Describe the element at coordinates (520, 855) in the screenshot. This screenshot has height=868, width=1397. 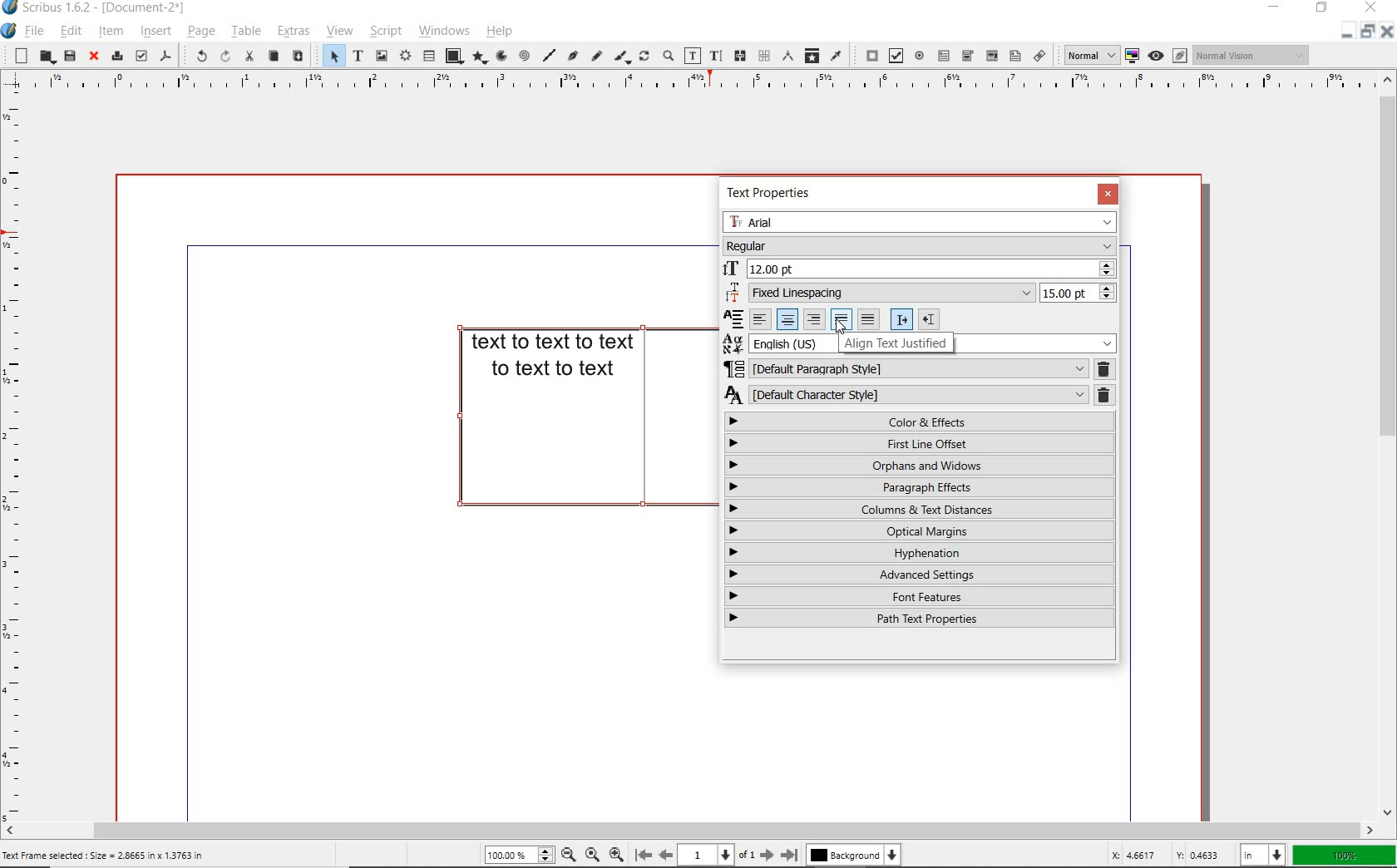
I see `zoom level` at that location.